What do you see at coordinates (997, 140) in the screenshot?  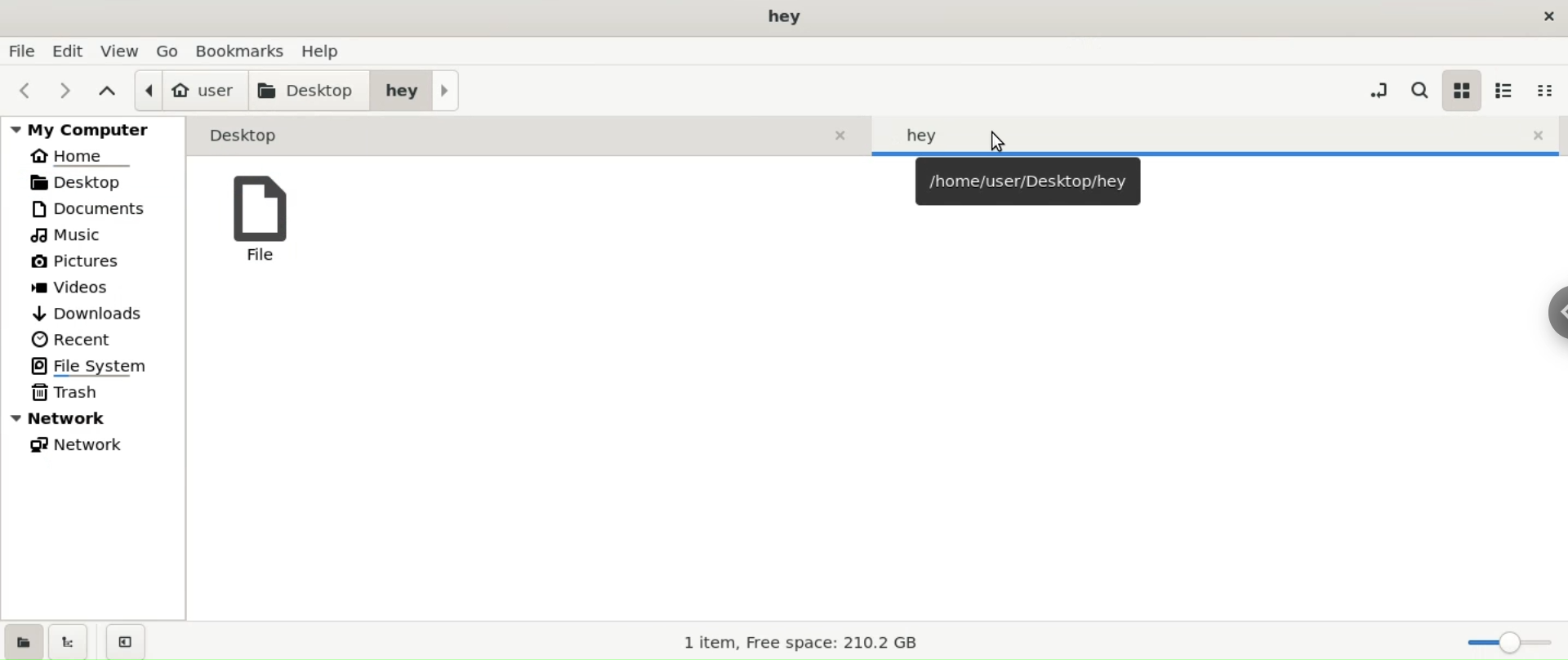 I see `cursor` at bounding box center [997, 140].